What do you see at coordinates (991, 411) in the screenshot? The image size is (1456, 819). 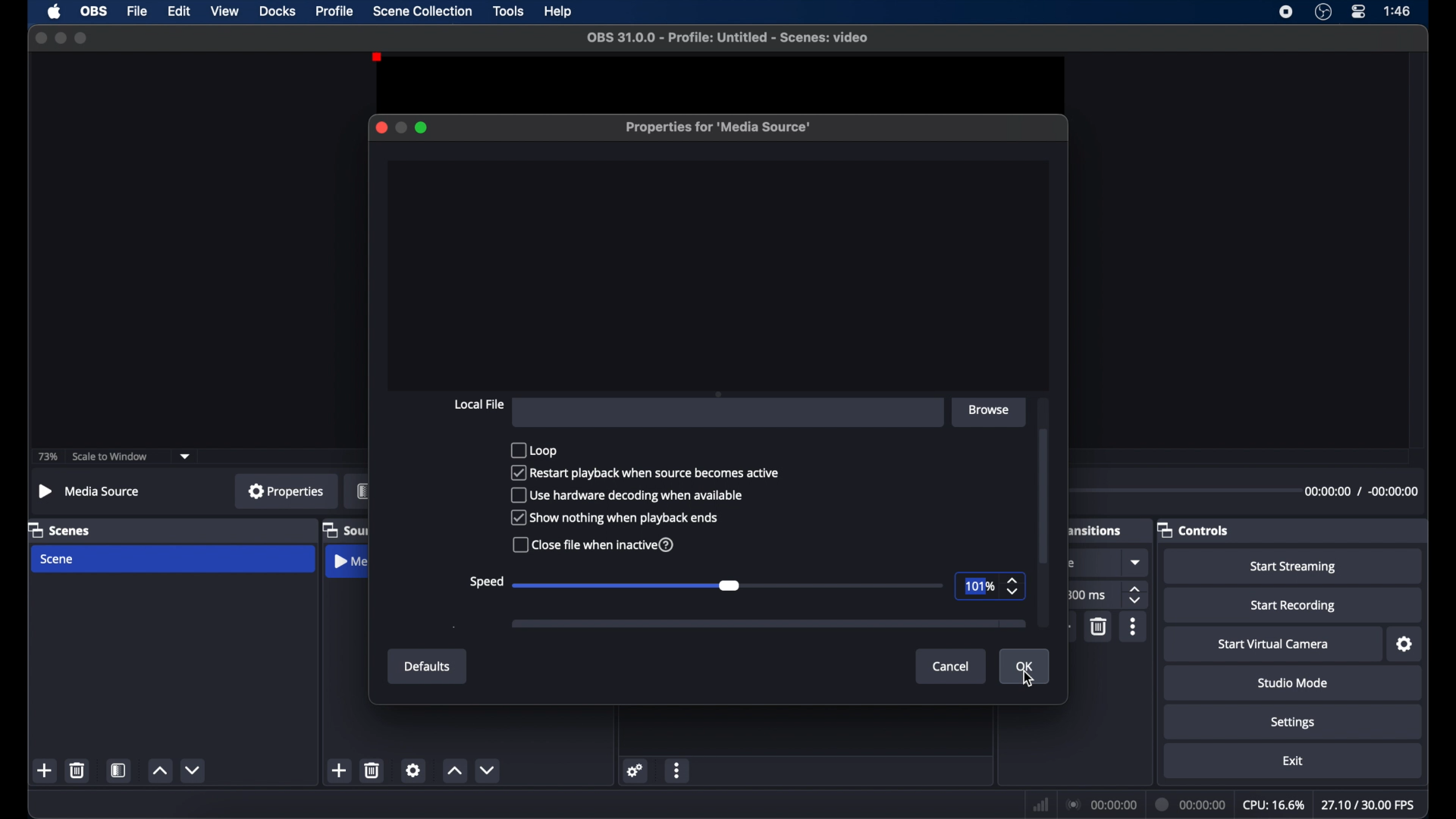 I see `browse` at bounding box center [991, 411].